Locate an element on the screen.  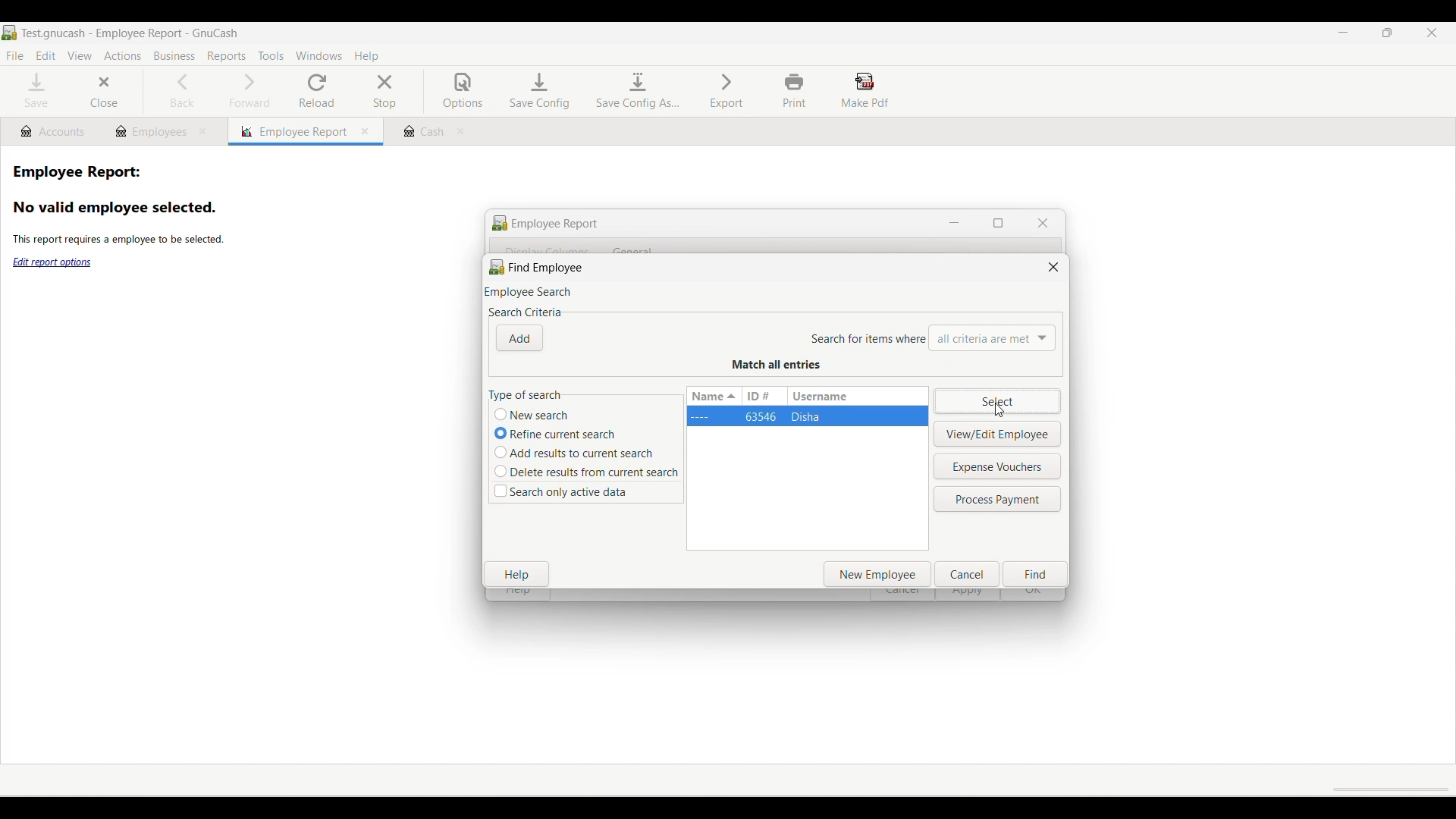
Search type changed to Refine current search is located at coordinates (501, 433).